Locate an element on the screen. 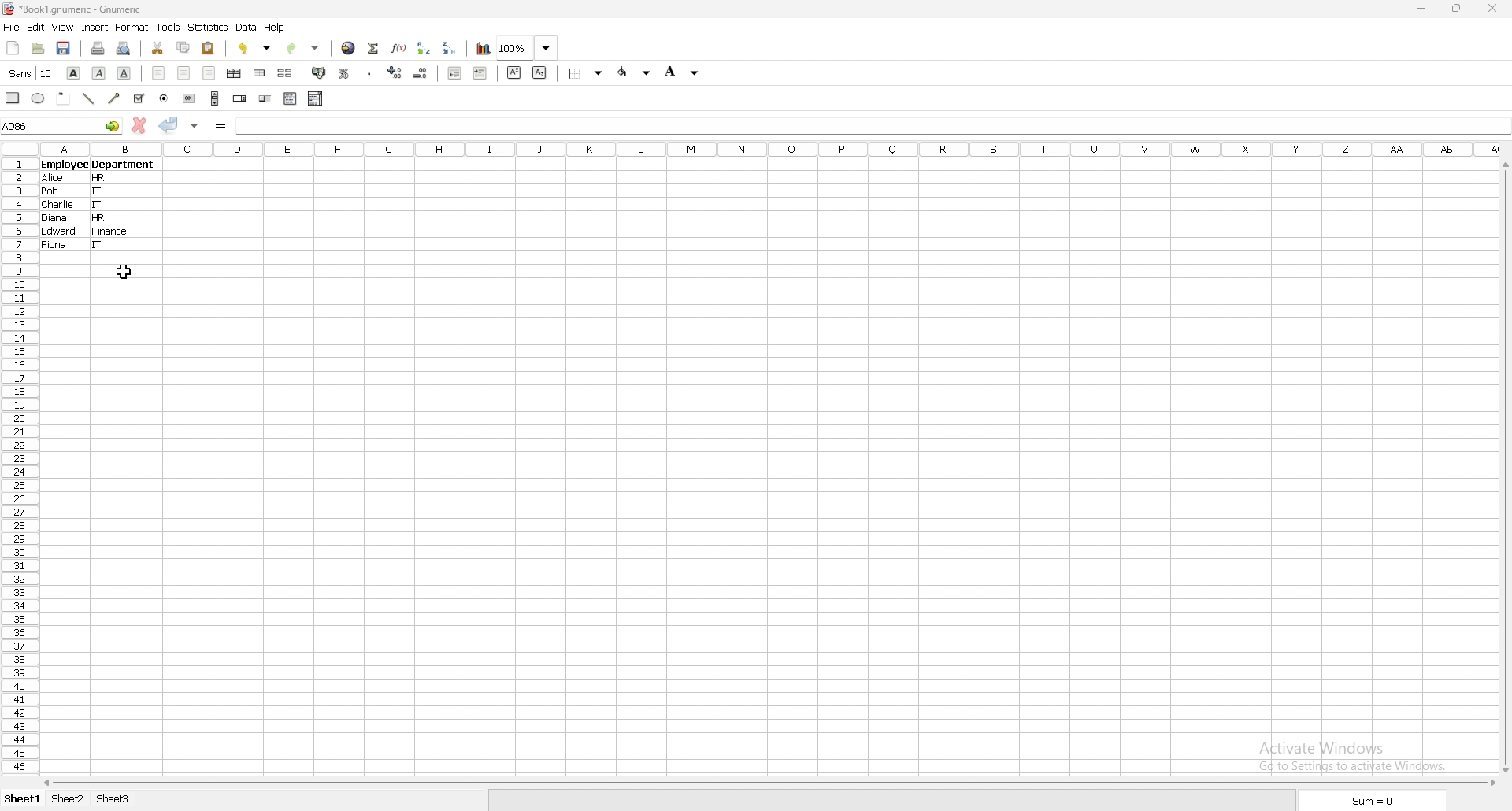 The width and height of the screenshot is (1512, 811). cut is located at coordinates (157, 47).